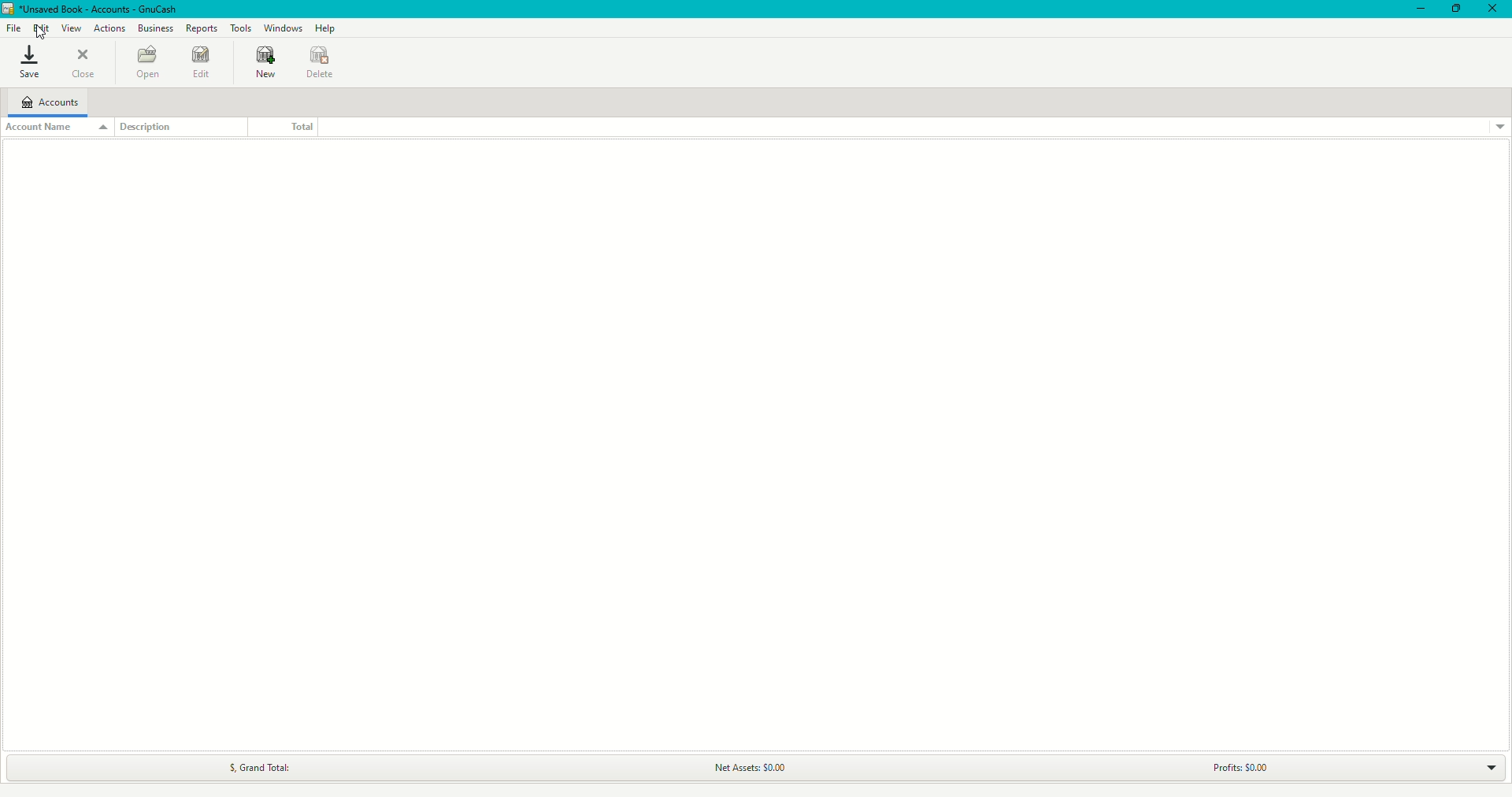 The width and height of the screenshot is (1512, 797). What do you see at coordinates (279, 126) in the screenshot?
I see `Total` at bounding box center [279, 126].